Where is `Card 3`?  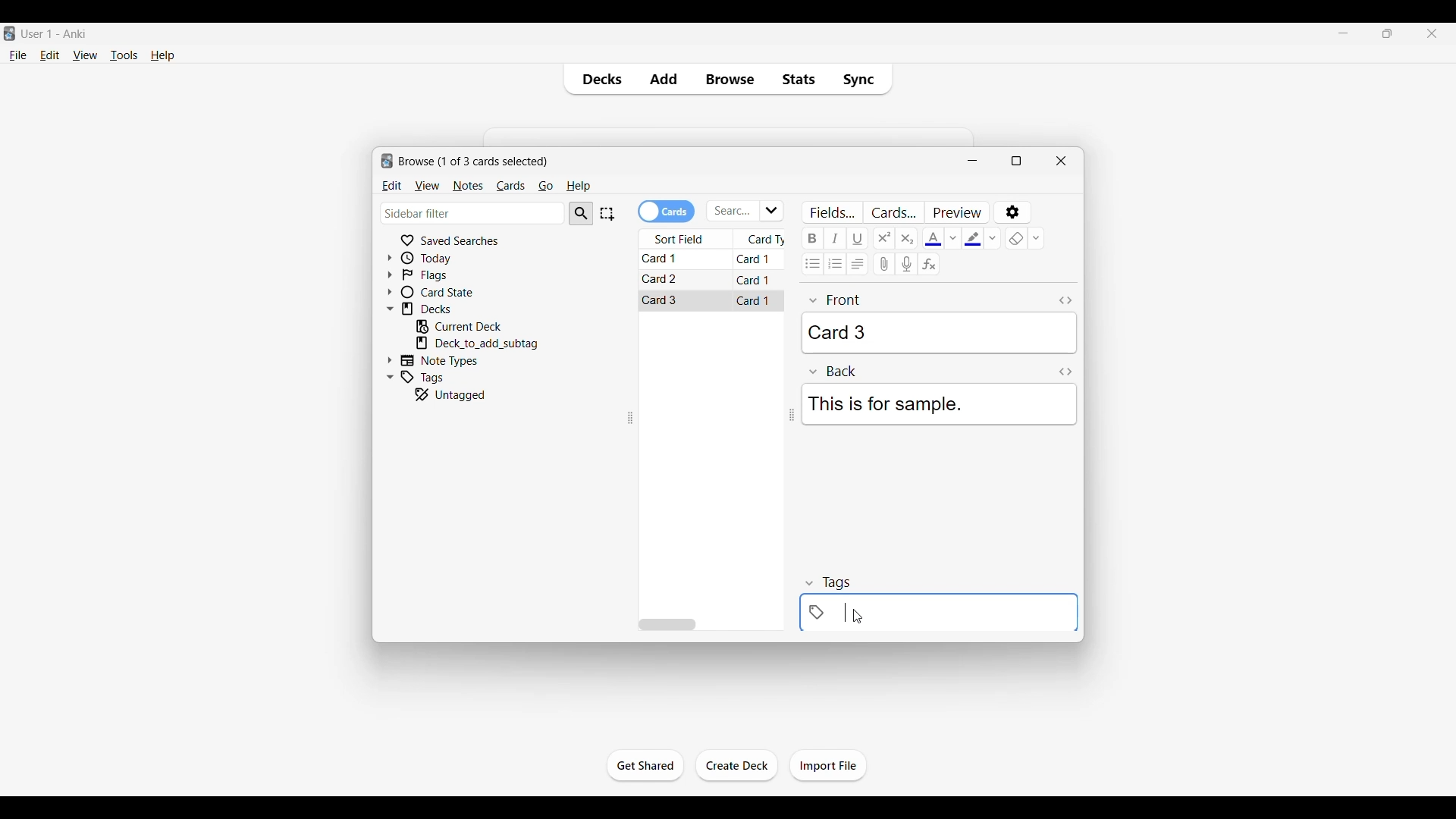 Card 3 is located at coordinates (663, 300).